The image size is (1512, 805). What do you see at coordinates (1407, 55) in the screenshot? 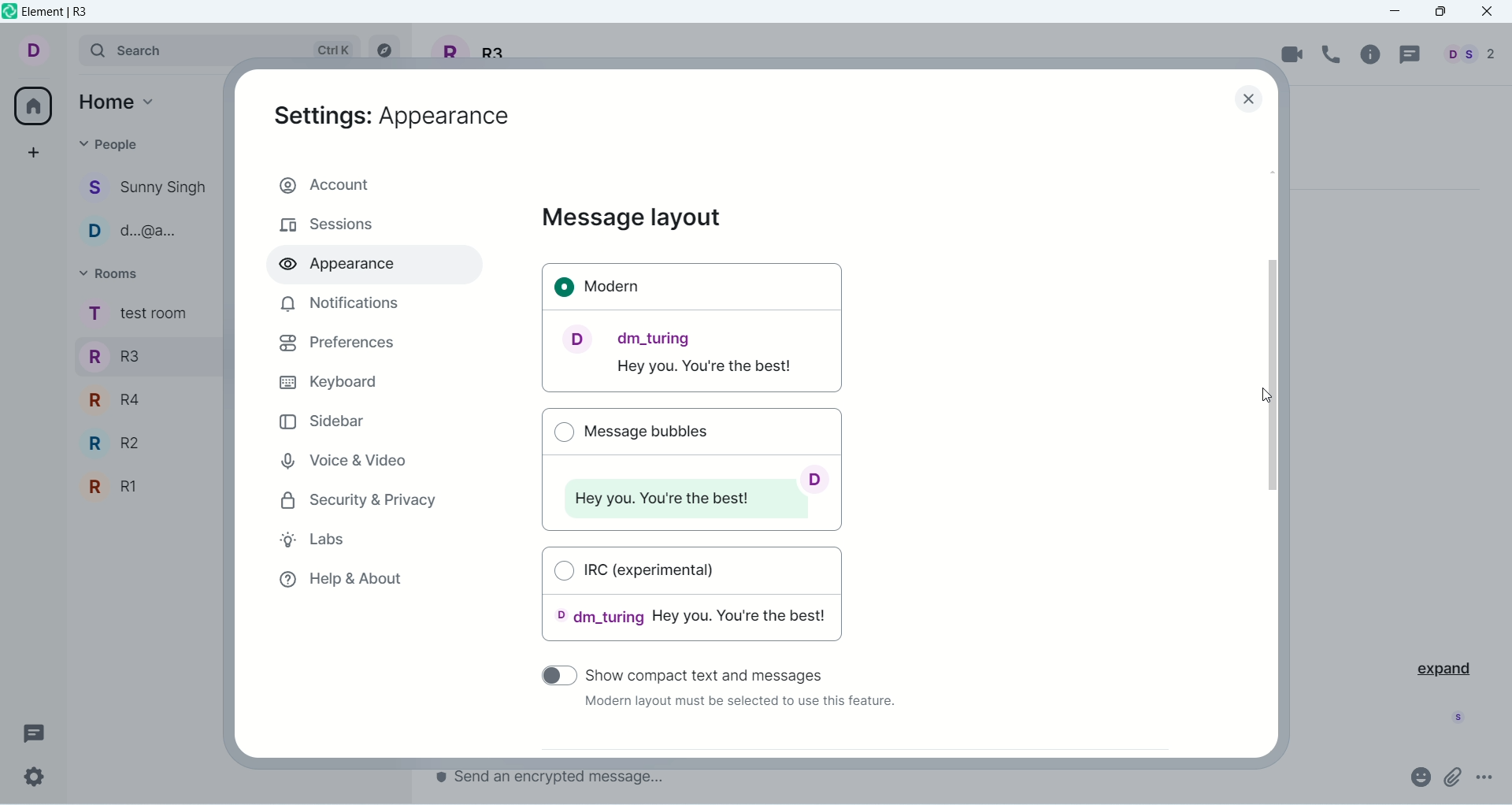
I see `threads` at bounding box center [1407, 55].